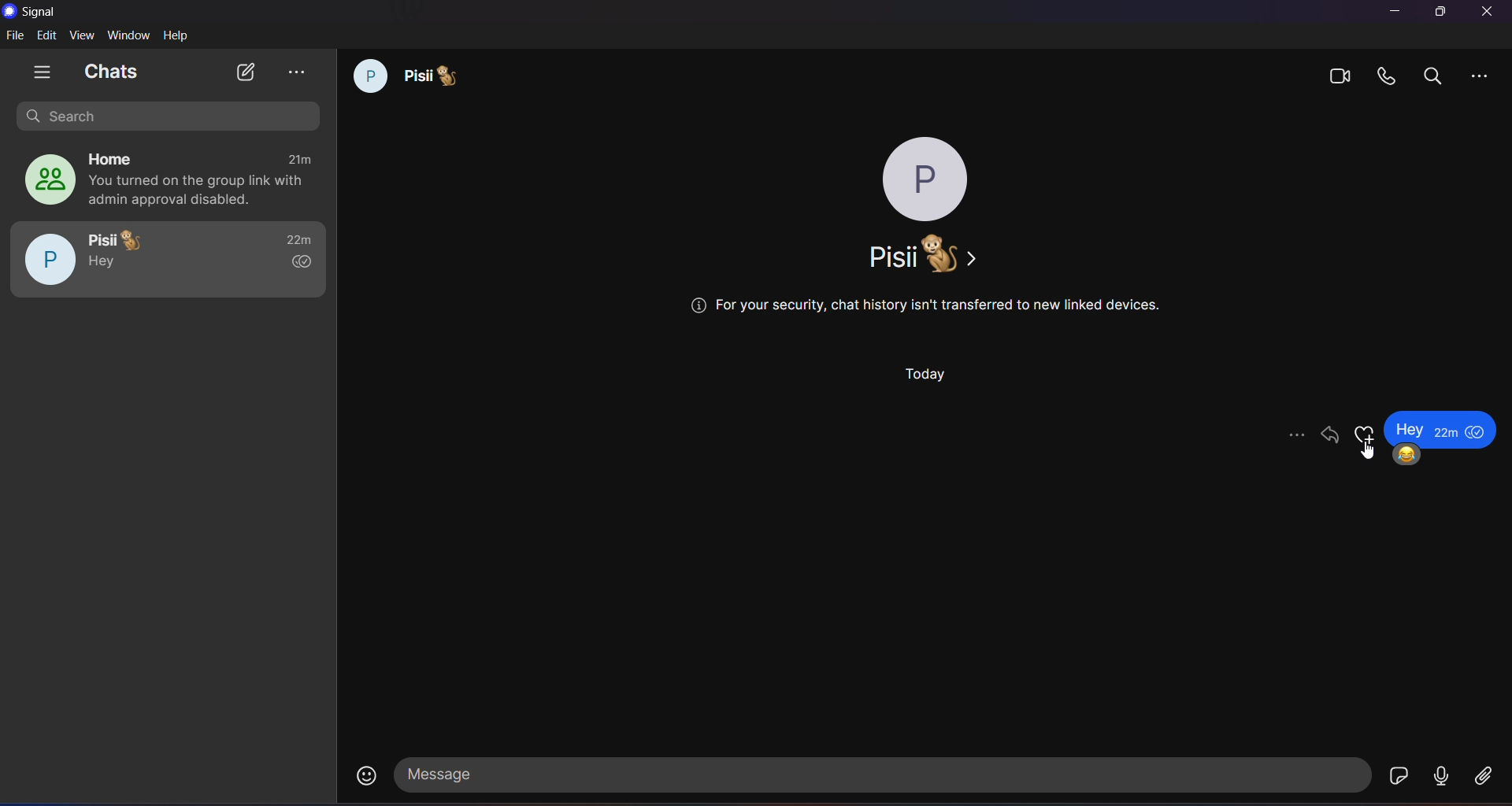  What do you see at coordinates (917, 254) in the screenshot?
I see `name` at bounding box center [917, 254].